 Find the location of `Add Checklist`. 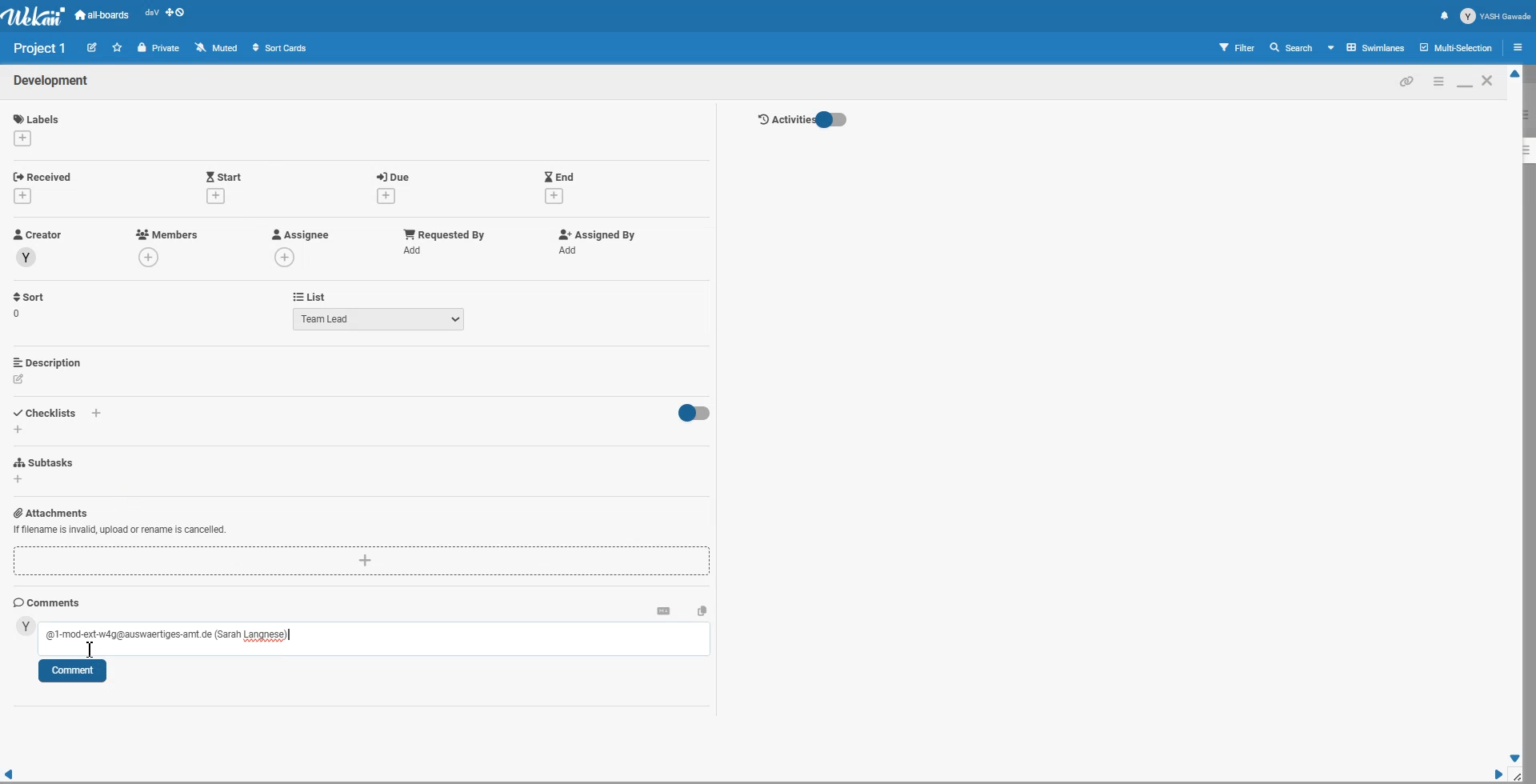

Add Checklist is located at coordinates (48, 411).